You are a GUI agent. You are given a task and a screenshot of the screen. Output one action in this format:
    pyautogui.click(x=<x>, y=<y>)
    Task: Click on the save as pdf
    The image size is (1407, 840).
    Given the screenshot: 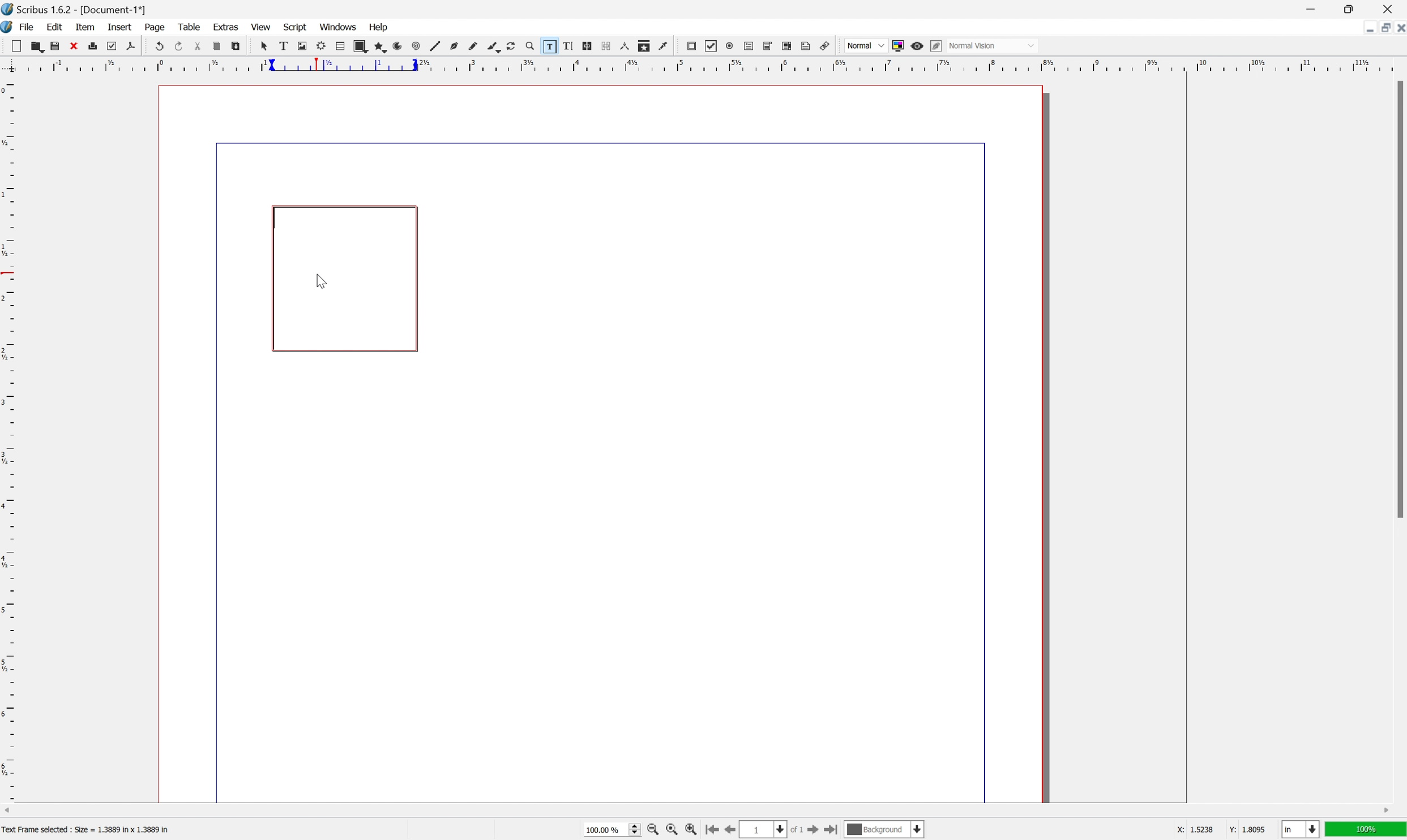 What is the action you would take?
    pyautogui.click(x=130, y=45)
    